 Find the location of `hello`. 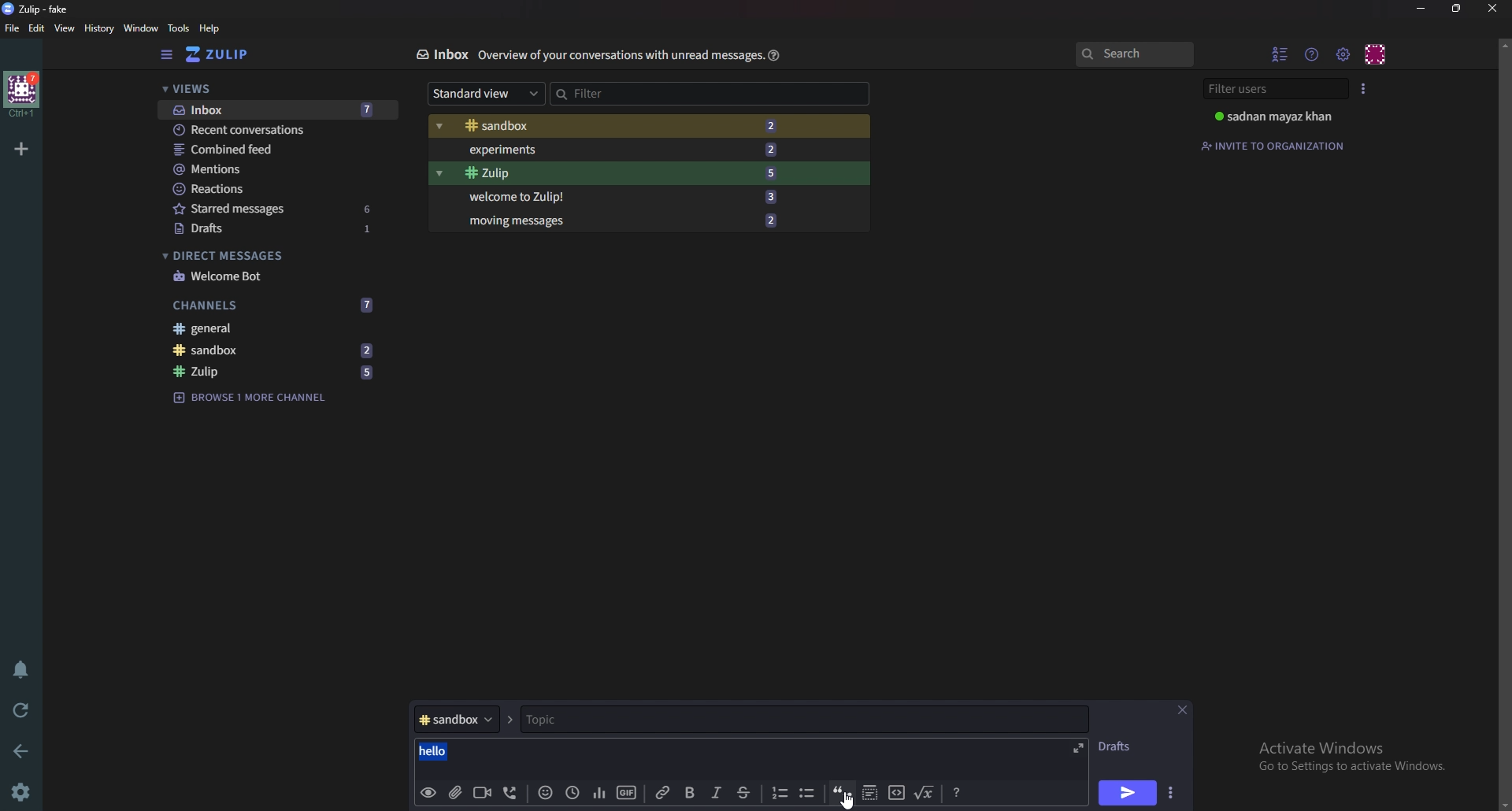

hello is located at coordinates (430, 750).